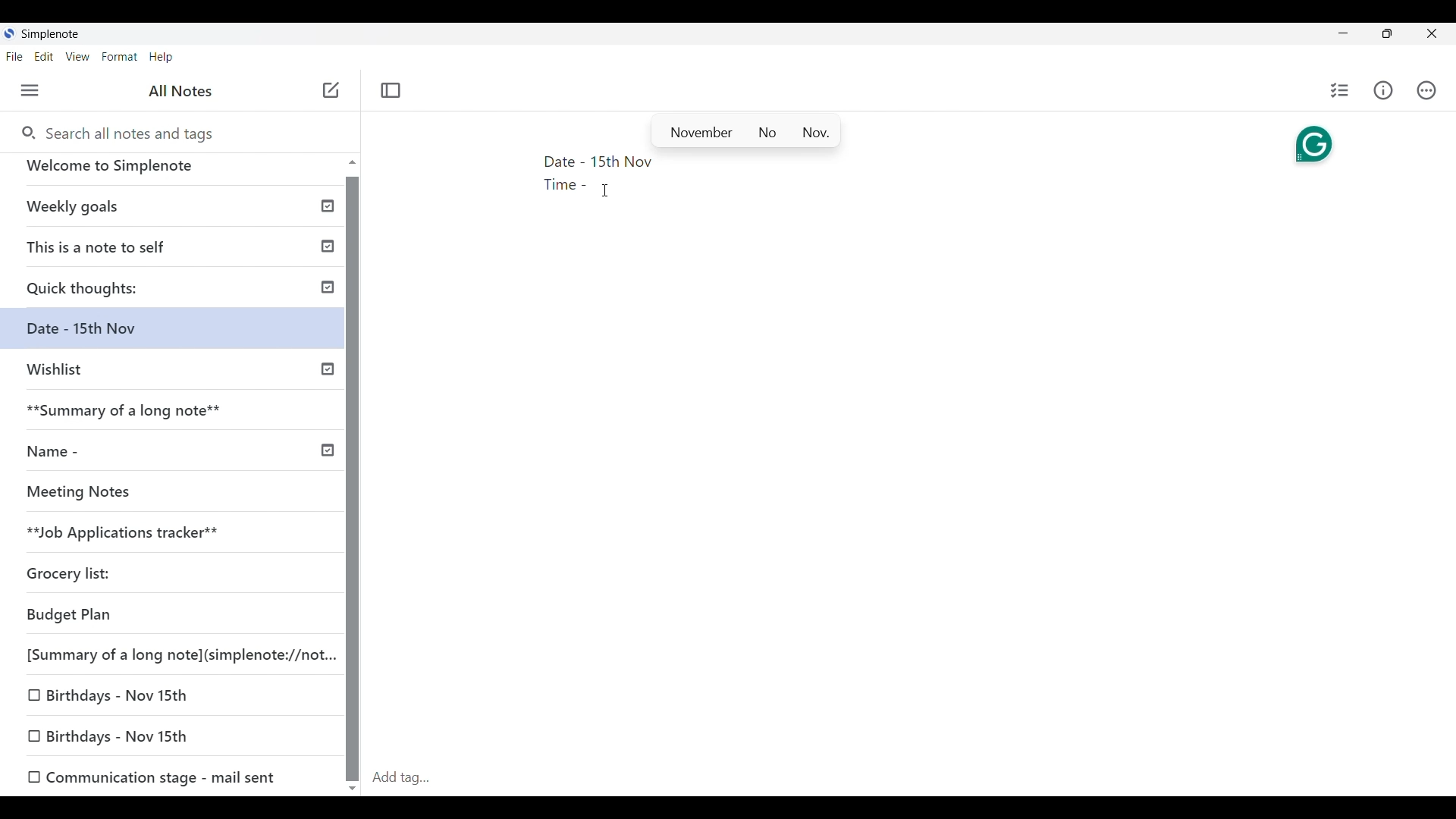  I want to click on Unpublished note, so click(177, 376).